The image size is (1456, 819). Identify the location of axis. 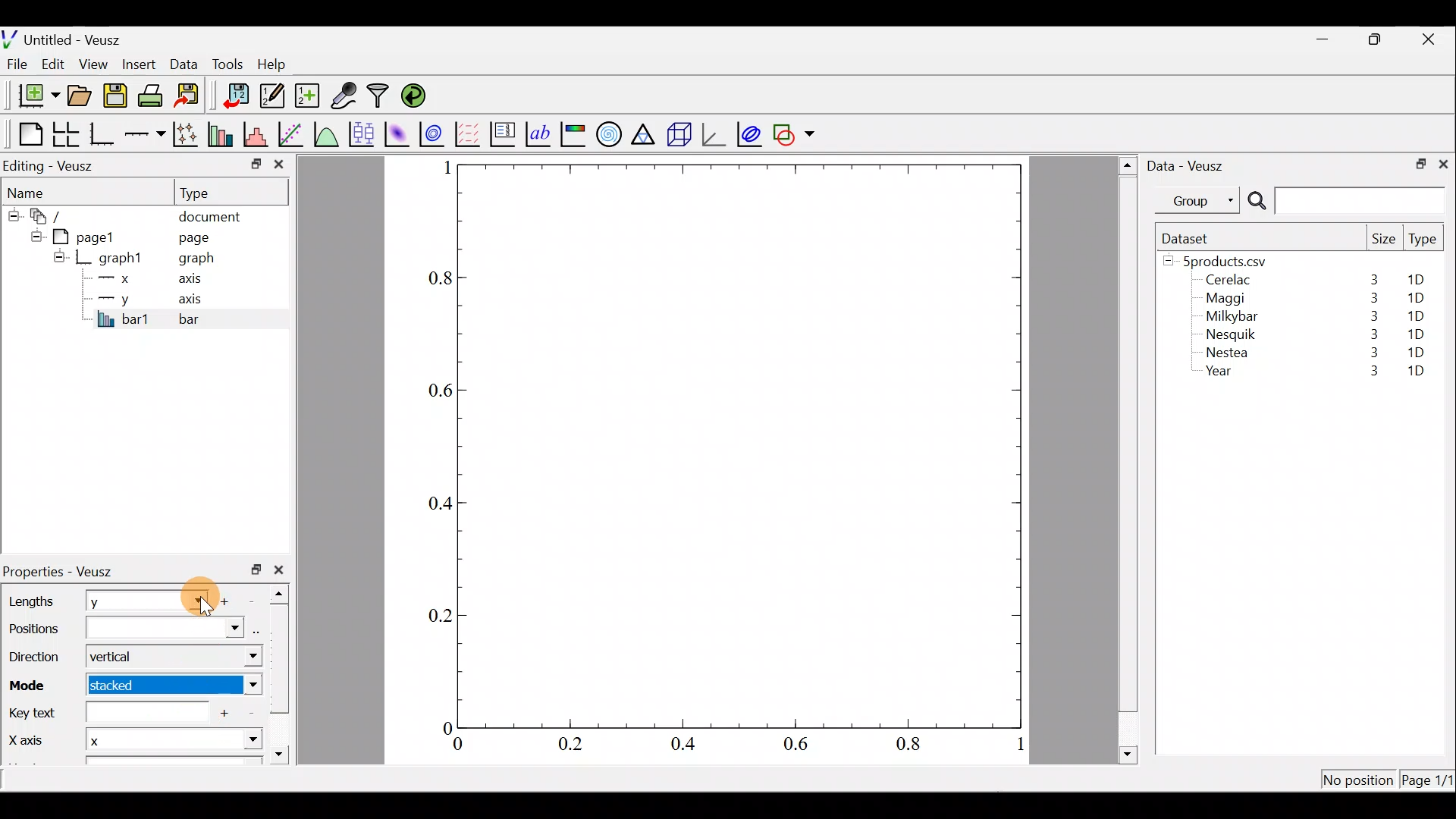
(195, 281).